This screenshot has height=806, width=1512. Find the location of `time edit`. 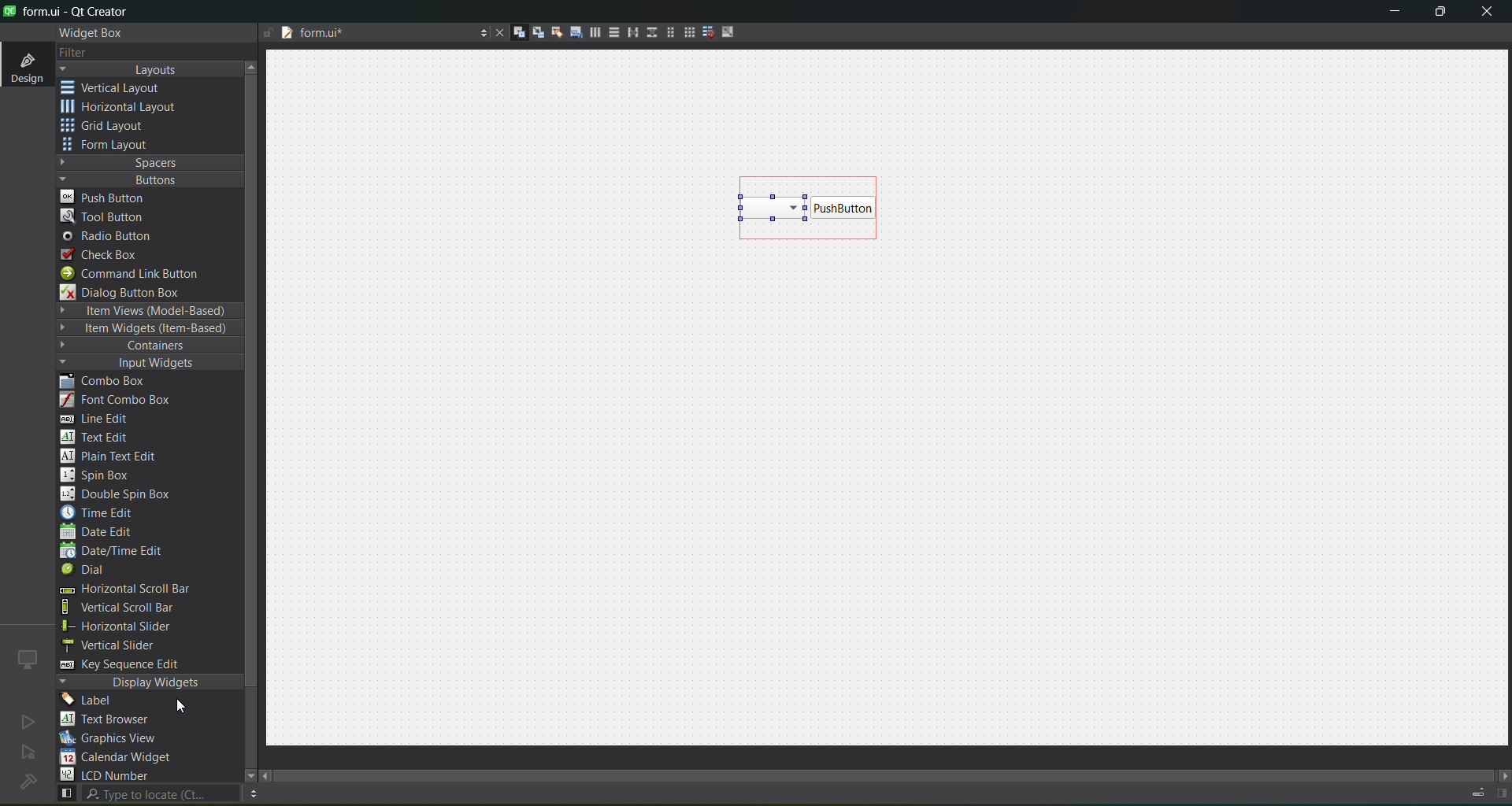

time edit is located at coordinates (102, 512).